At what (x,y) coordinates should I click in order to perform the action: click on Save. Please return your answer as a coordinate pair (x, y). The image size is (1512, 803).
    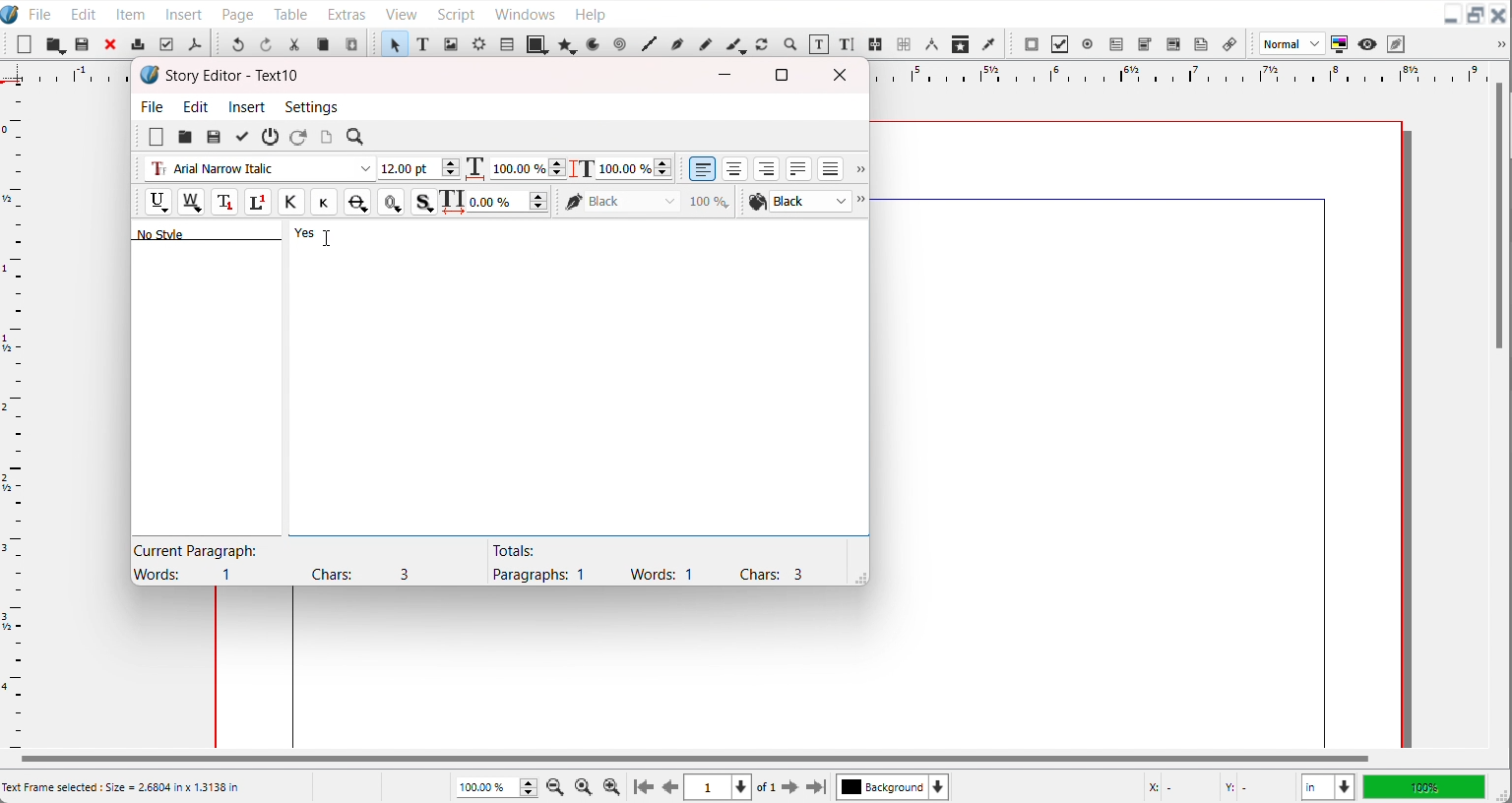
    Looking at the image, I should click on (214, 137).